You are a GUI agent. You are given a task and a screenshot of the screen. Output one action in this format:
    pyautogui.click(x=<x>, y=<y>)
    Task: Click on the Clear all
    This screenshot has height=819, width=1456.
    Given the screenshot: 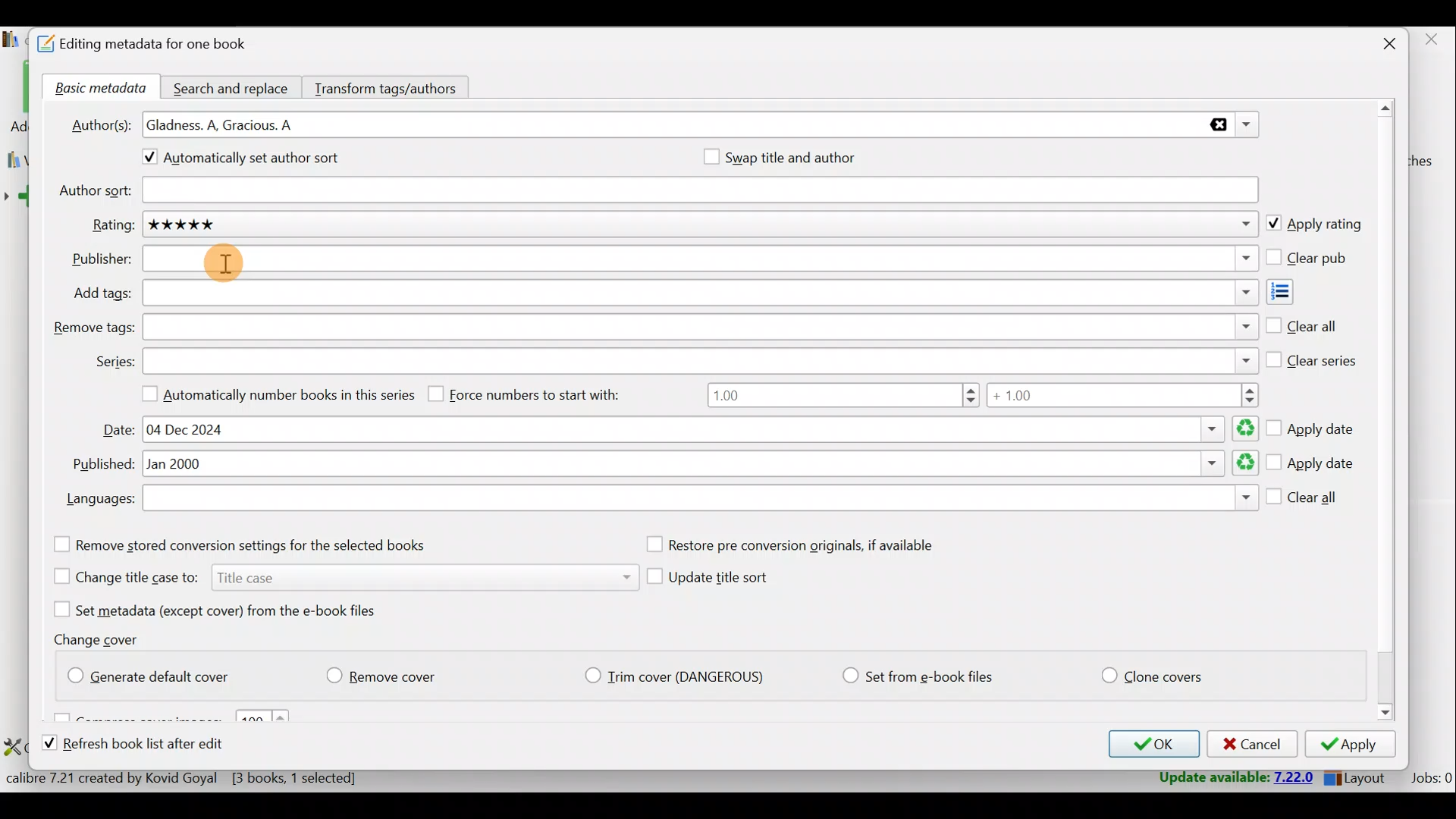 What is the action you would take?
    pyautogui.click(x=1304, y=500)
    